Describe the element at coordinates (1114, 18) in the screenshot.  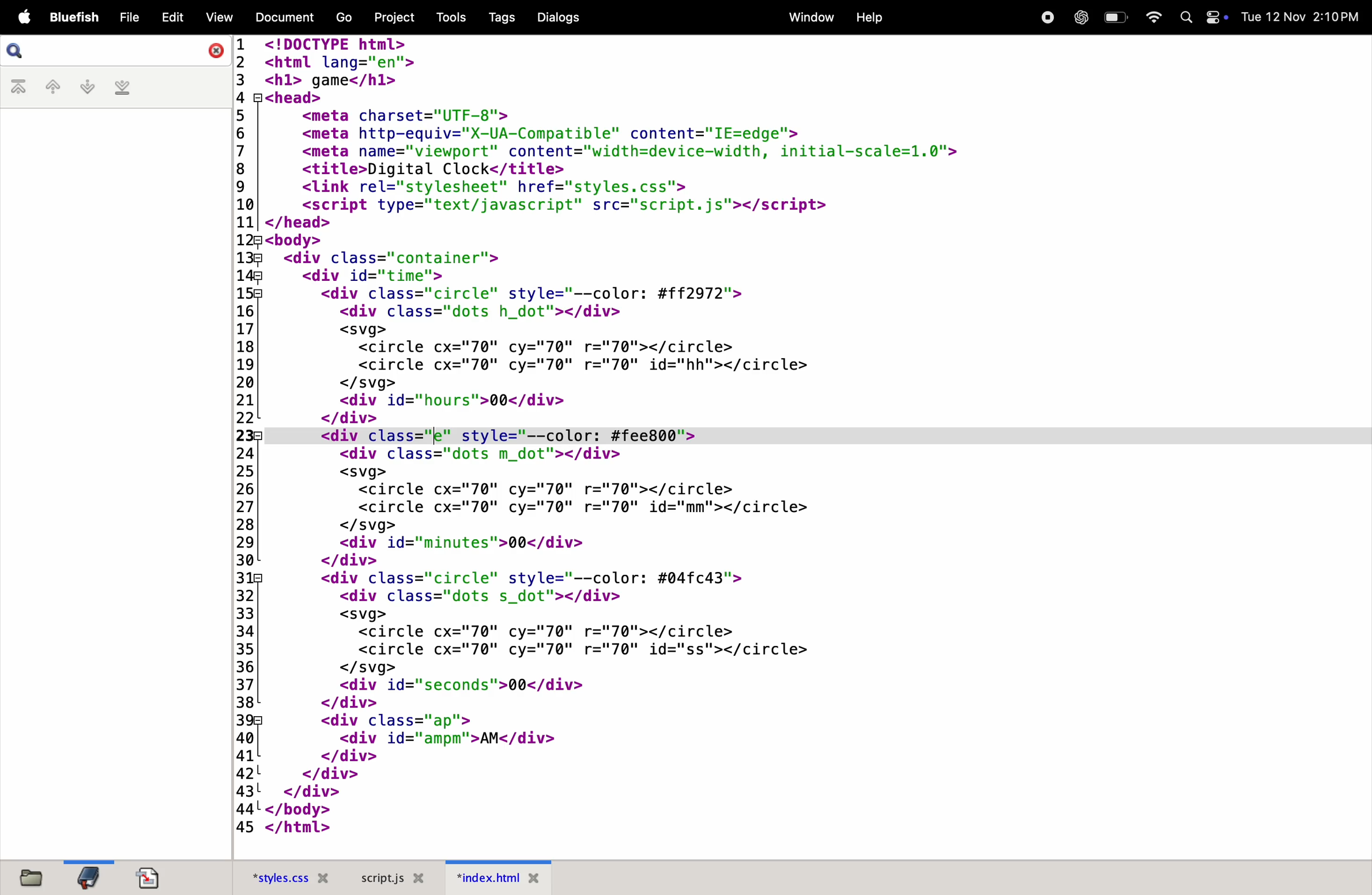
I see `battery` at that location.